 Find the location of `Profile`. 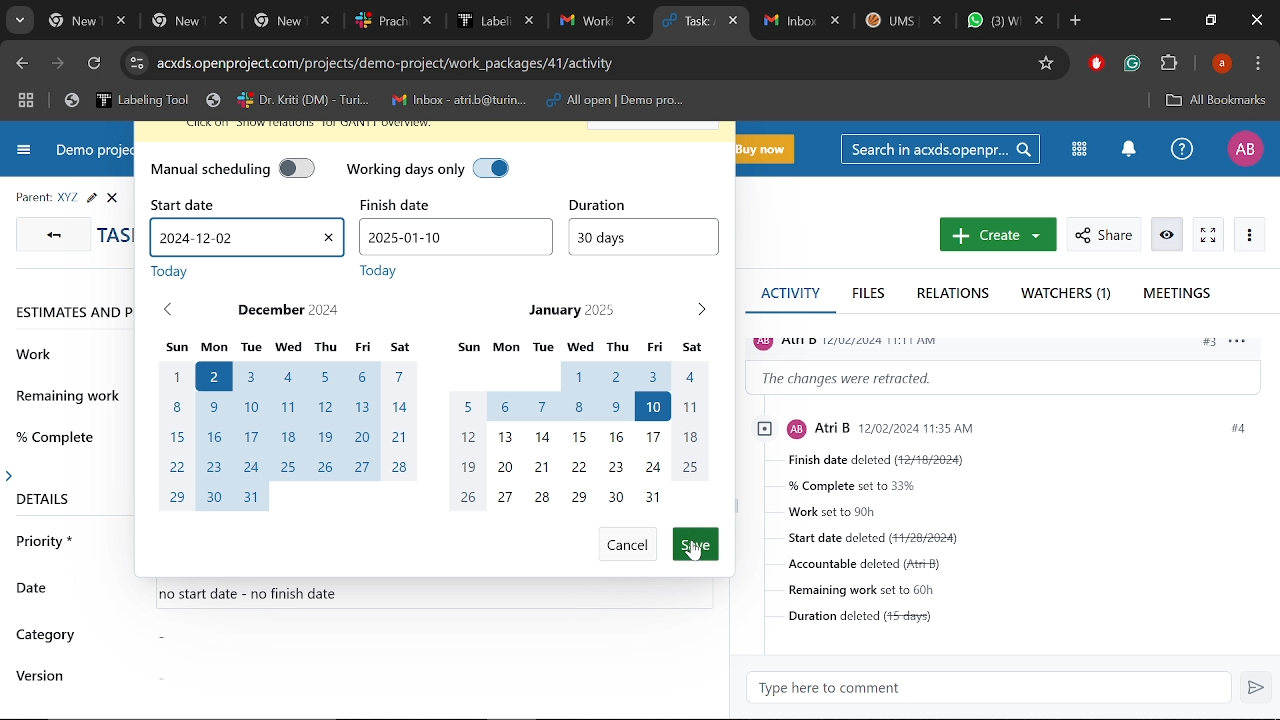

Profile is located at coordinates (1224, 63).